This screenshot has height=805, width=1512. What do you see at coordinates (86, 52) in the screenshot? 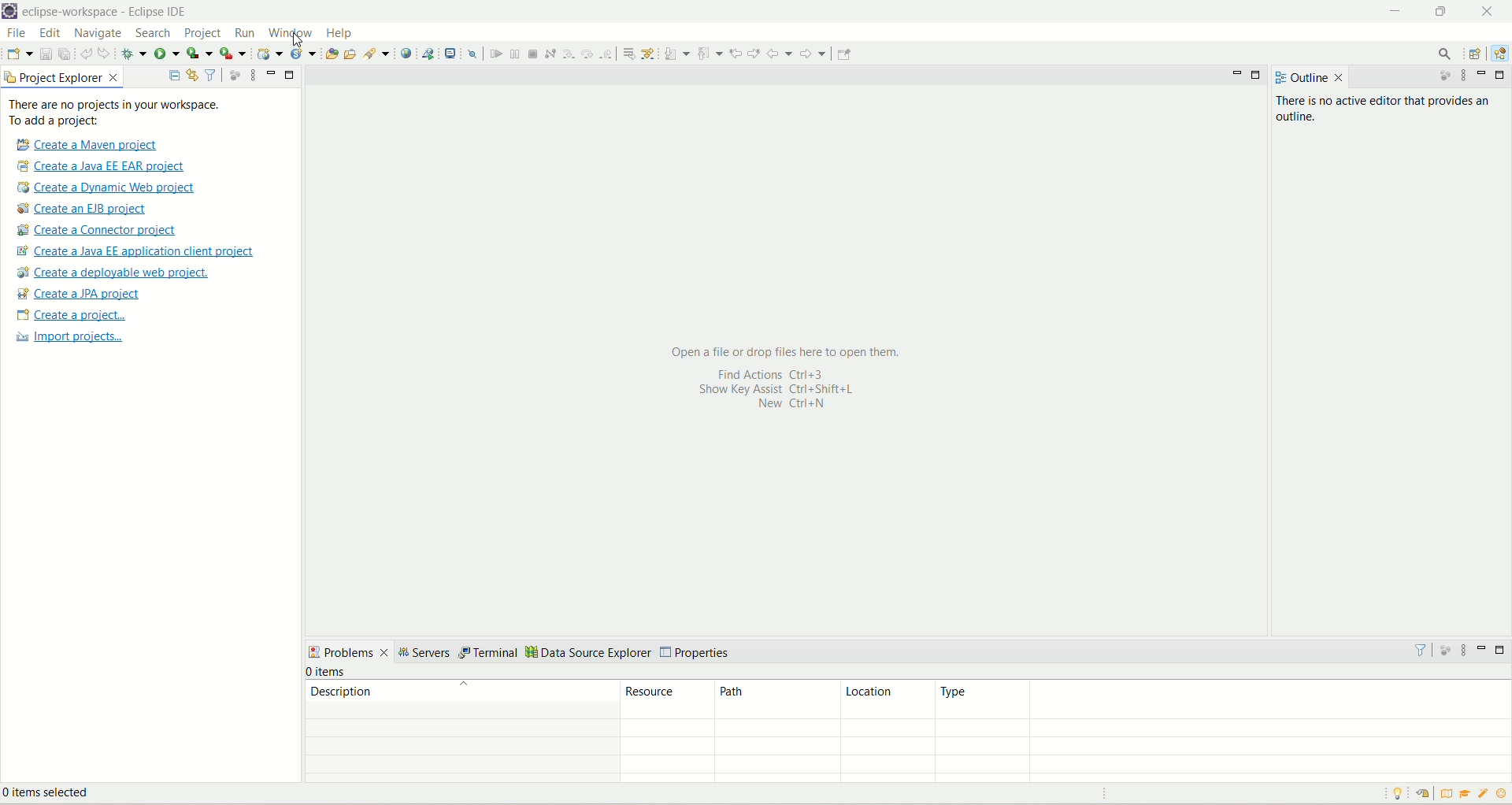
I see `undo` at bounding box center [86, 52].